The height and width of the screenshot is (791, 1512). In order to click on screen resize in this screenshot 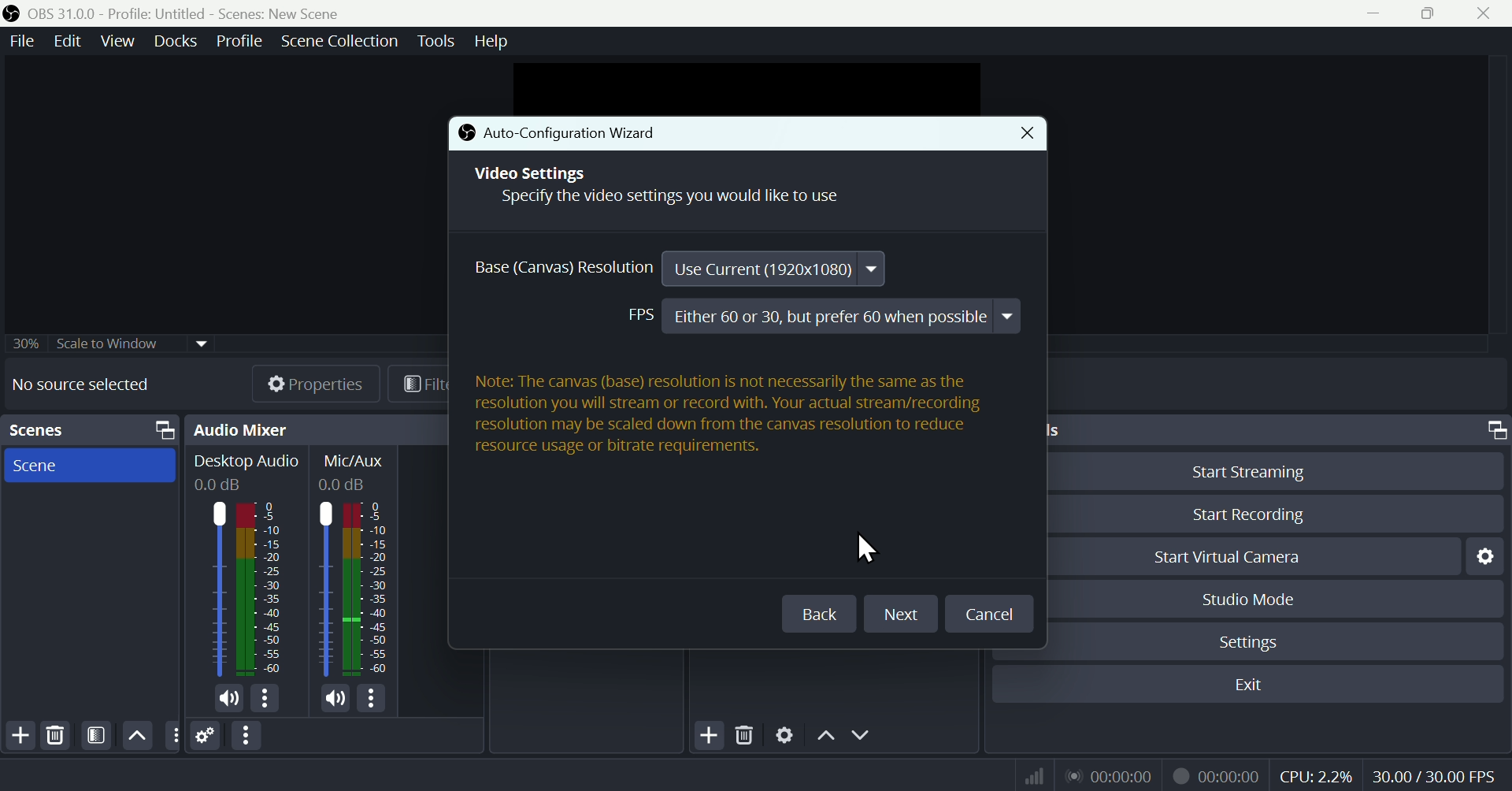, I will do `click(160, 430)`.